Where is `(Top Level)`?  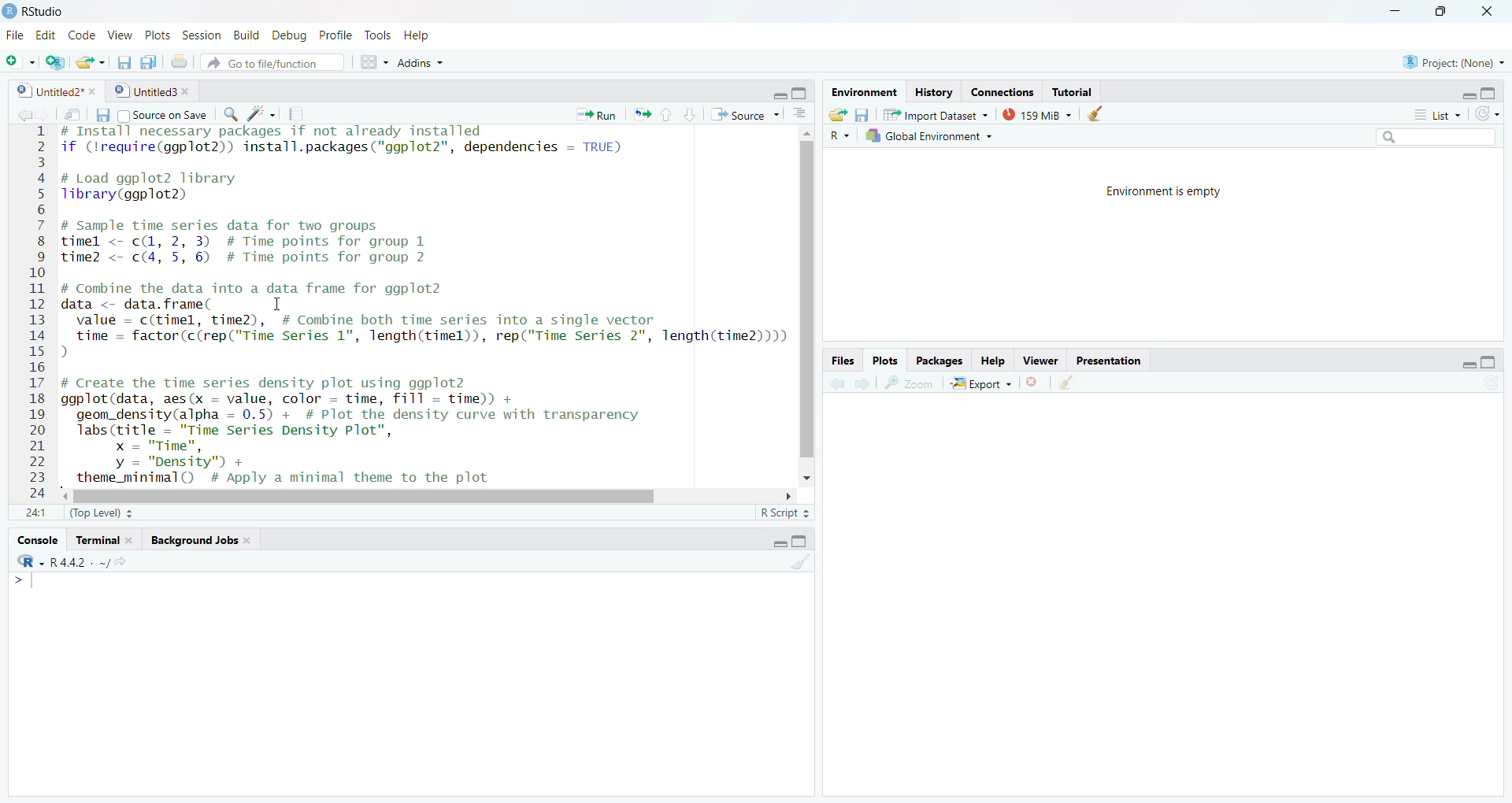 (Top Level) is located at coordinates (100, 513).